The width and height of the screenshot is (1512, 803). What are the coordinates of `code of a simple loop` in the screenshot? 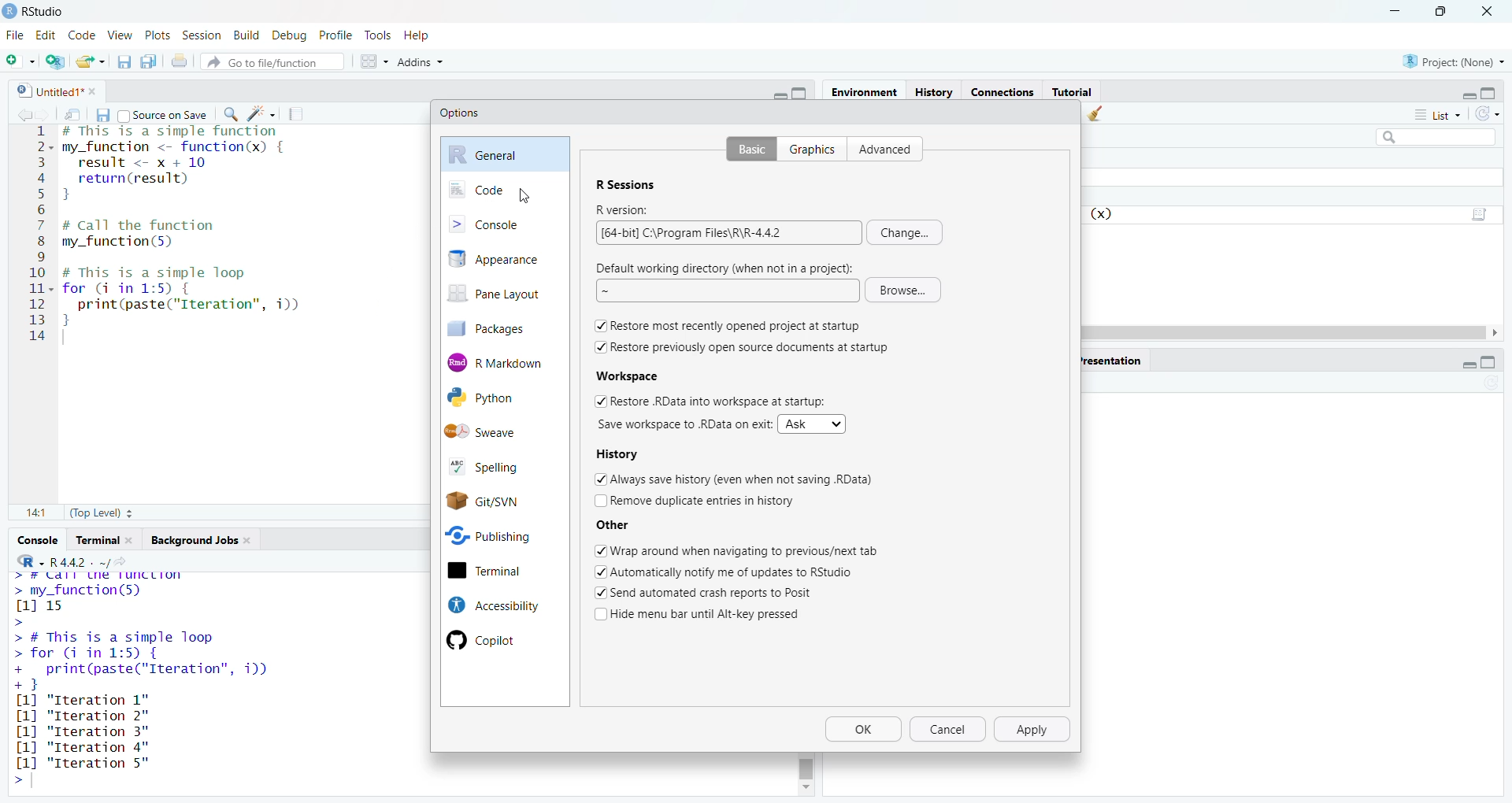 It's located at (187, 296).